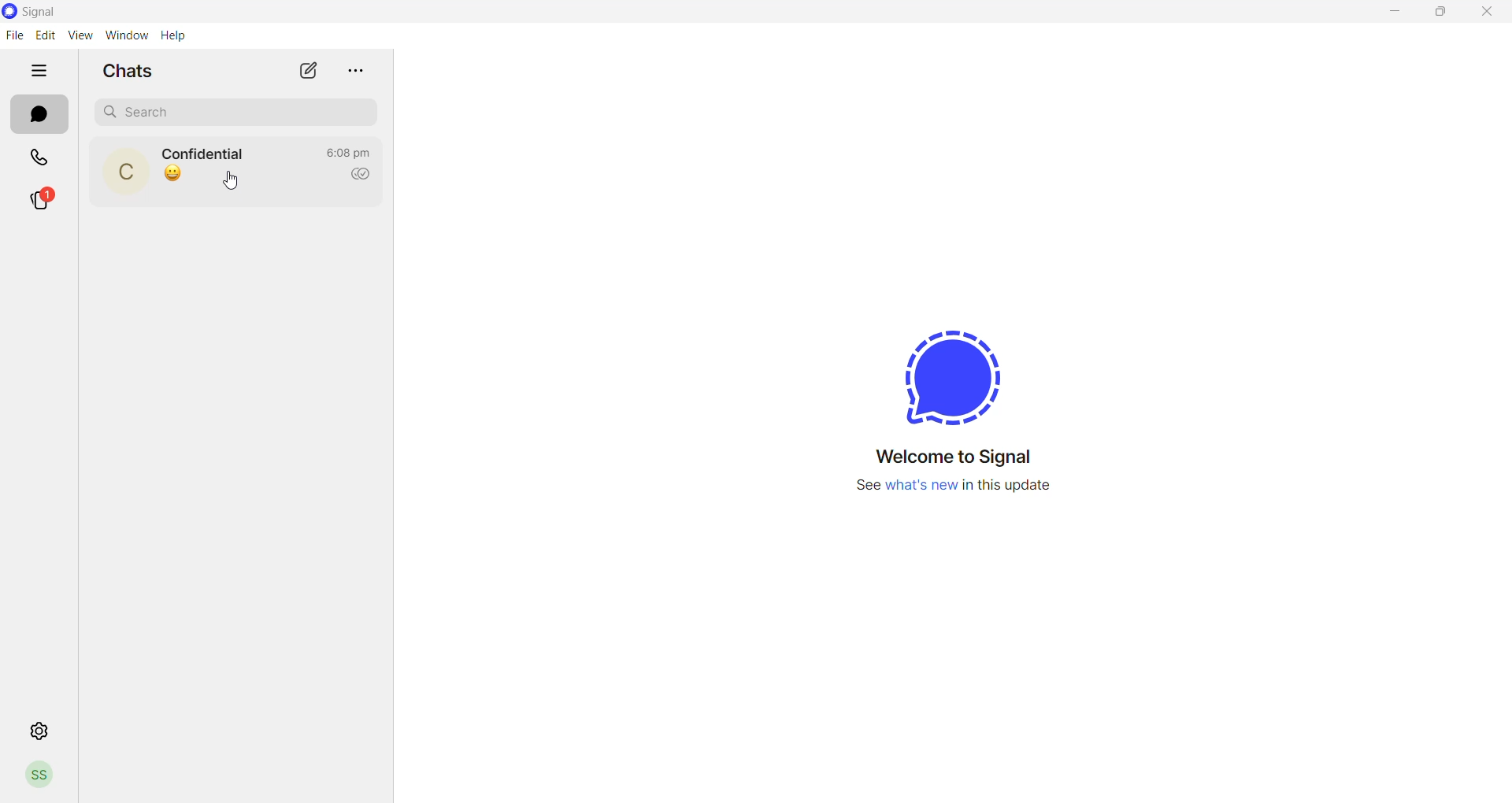 Image resolution: width=1512 pixels, height=803 pixels. I want to click on profile picture, so click(124, 172).